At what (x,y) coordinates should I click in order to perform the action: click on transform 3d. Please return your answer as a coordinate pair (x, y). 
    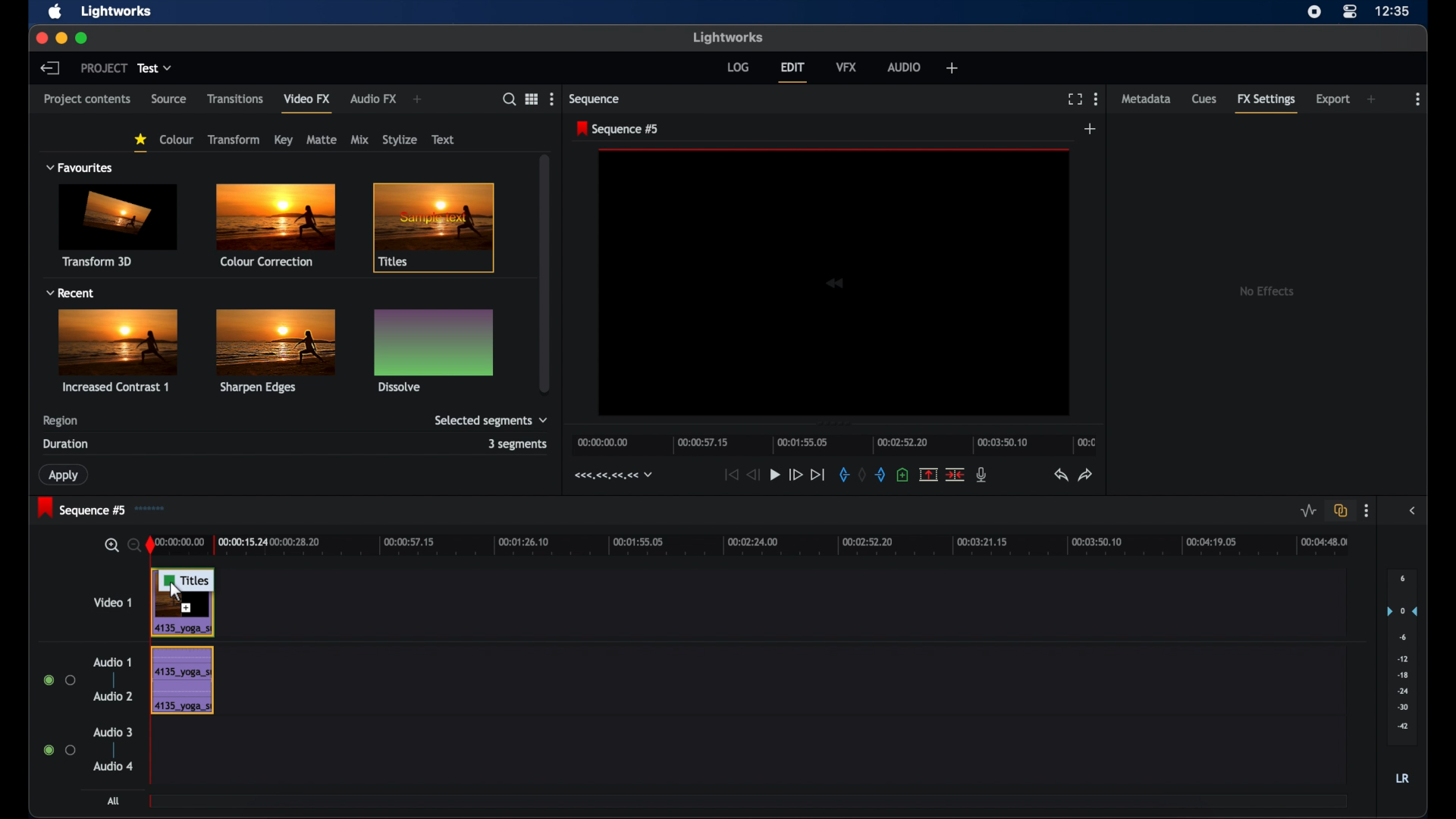
    Looking at the image, I should click on (119, 225).